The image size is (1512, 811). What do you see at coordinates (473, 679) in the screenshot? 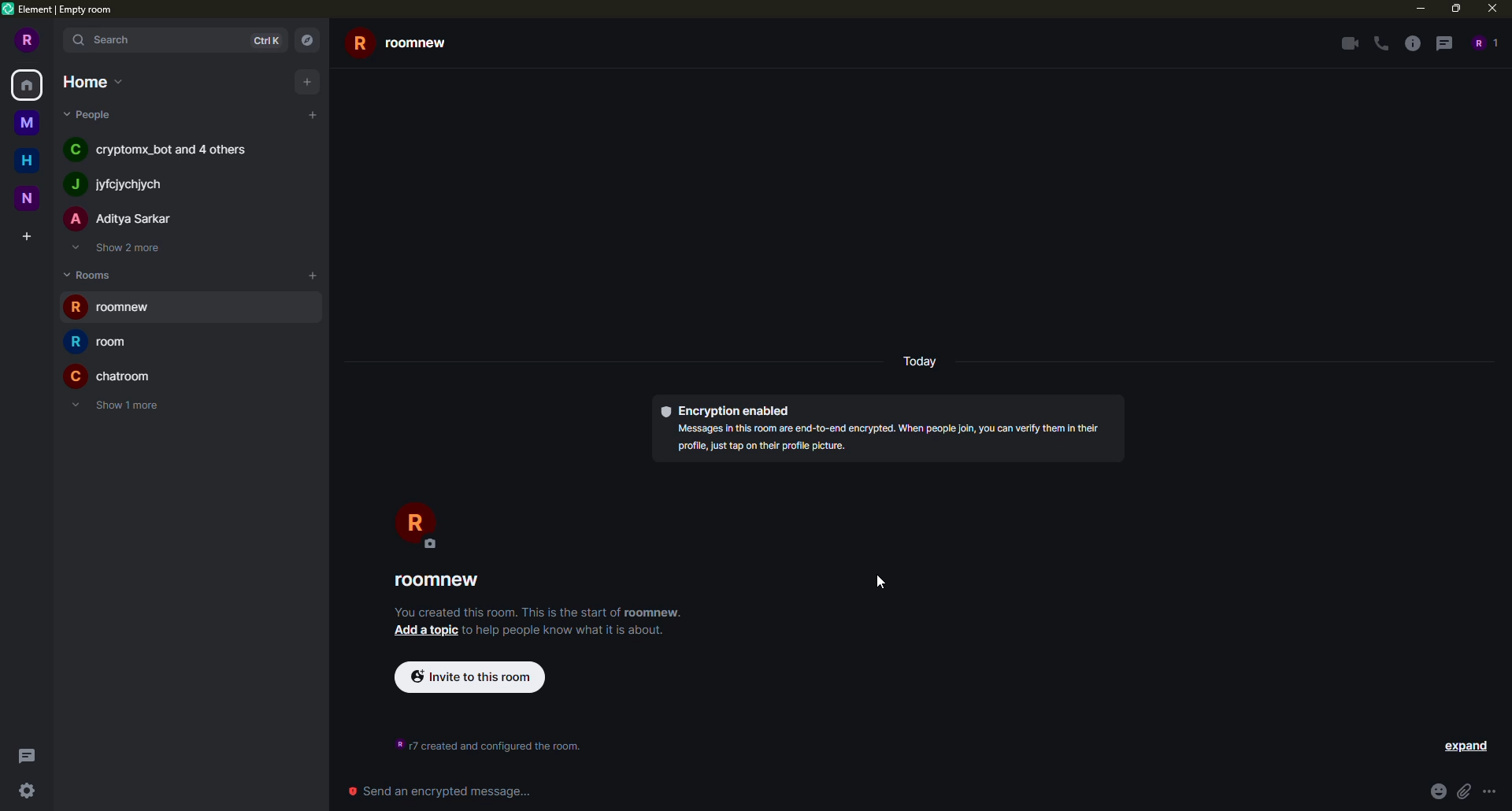
I see `invite to this room` at bounding box center [473, 679].